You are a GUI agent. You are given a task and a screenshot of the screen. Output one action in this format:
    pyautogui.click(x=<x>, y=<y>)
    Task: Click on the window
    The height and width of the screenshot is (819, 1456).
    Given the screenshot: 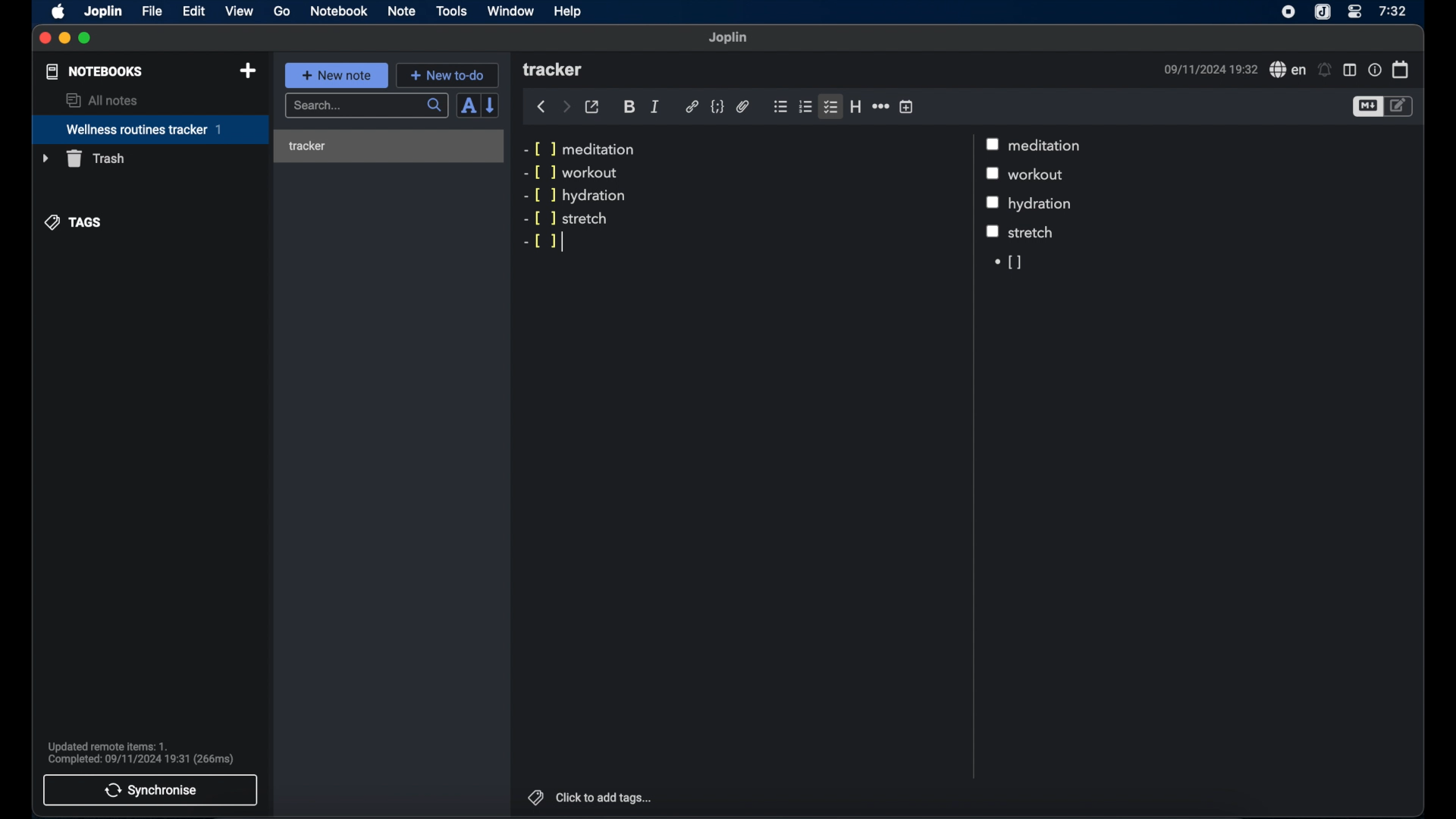 What is the action you would take?
    pyautogui.click(x=511, y=11)
    